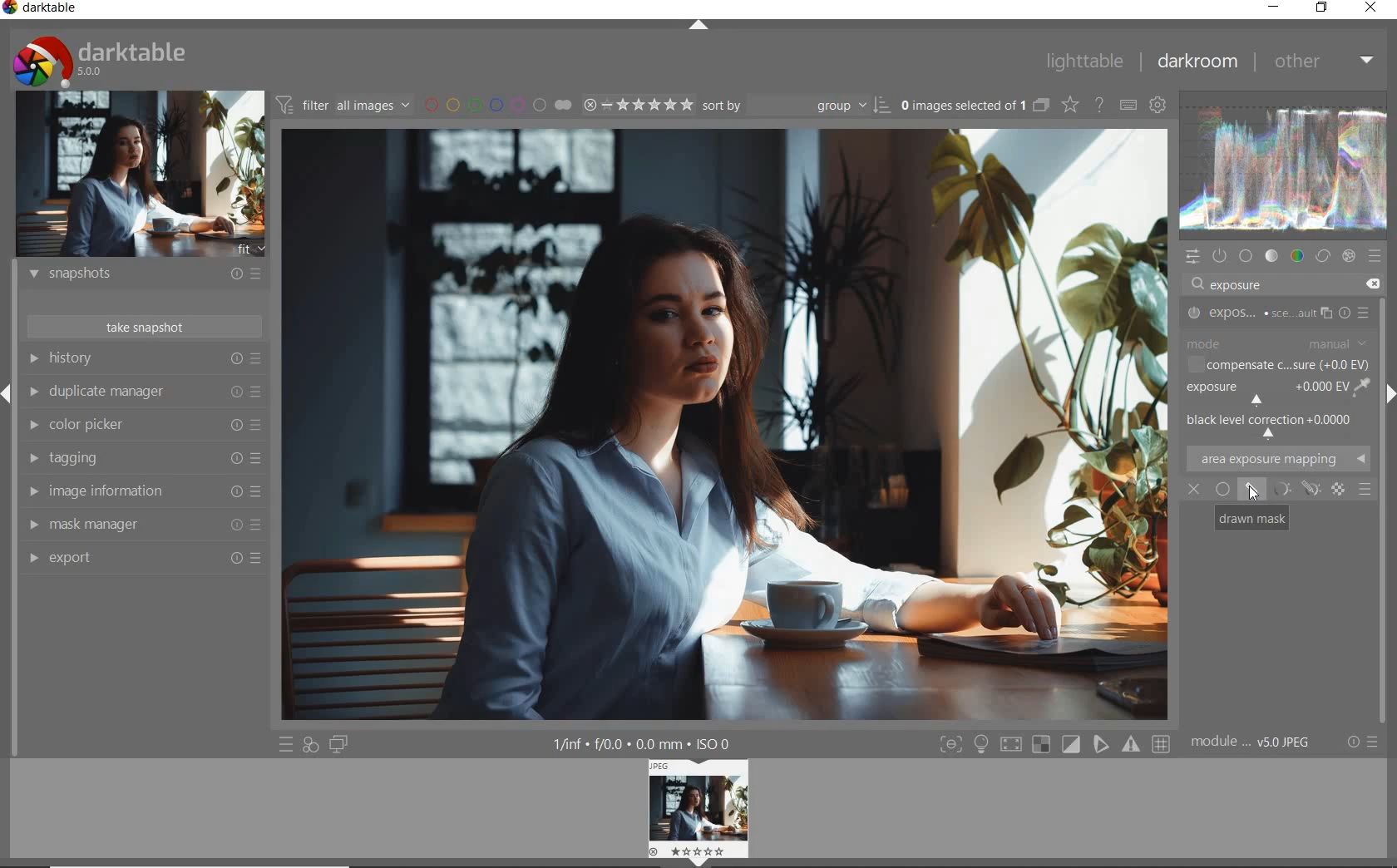 This screenshot has height=868, width=1397. Describe the element at coordinates (1193, 491) in the screenshot. I see `OFF` at that location.